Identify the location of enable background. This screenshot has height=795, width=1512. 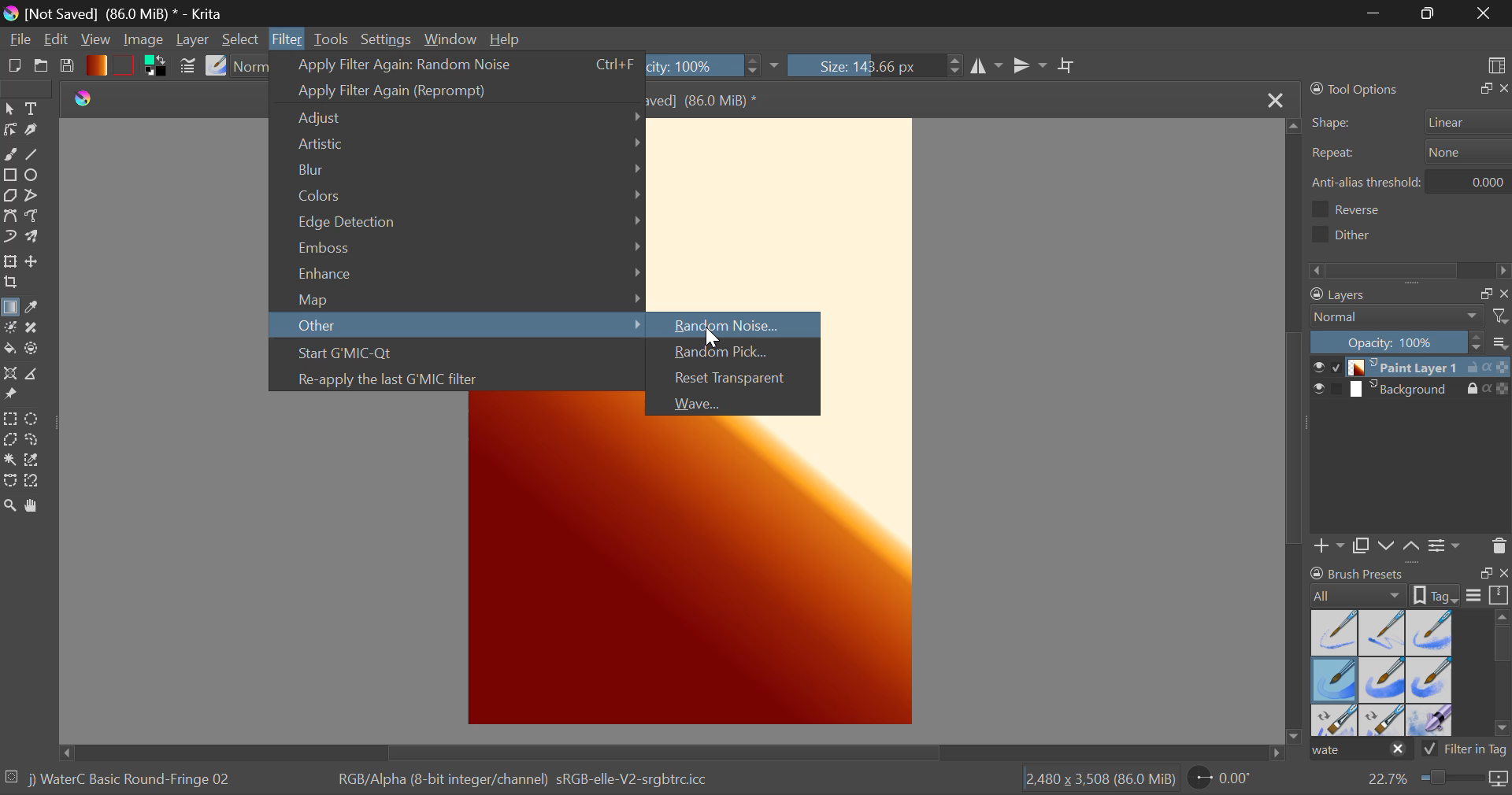
(1338, 393).